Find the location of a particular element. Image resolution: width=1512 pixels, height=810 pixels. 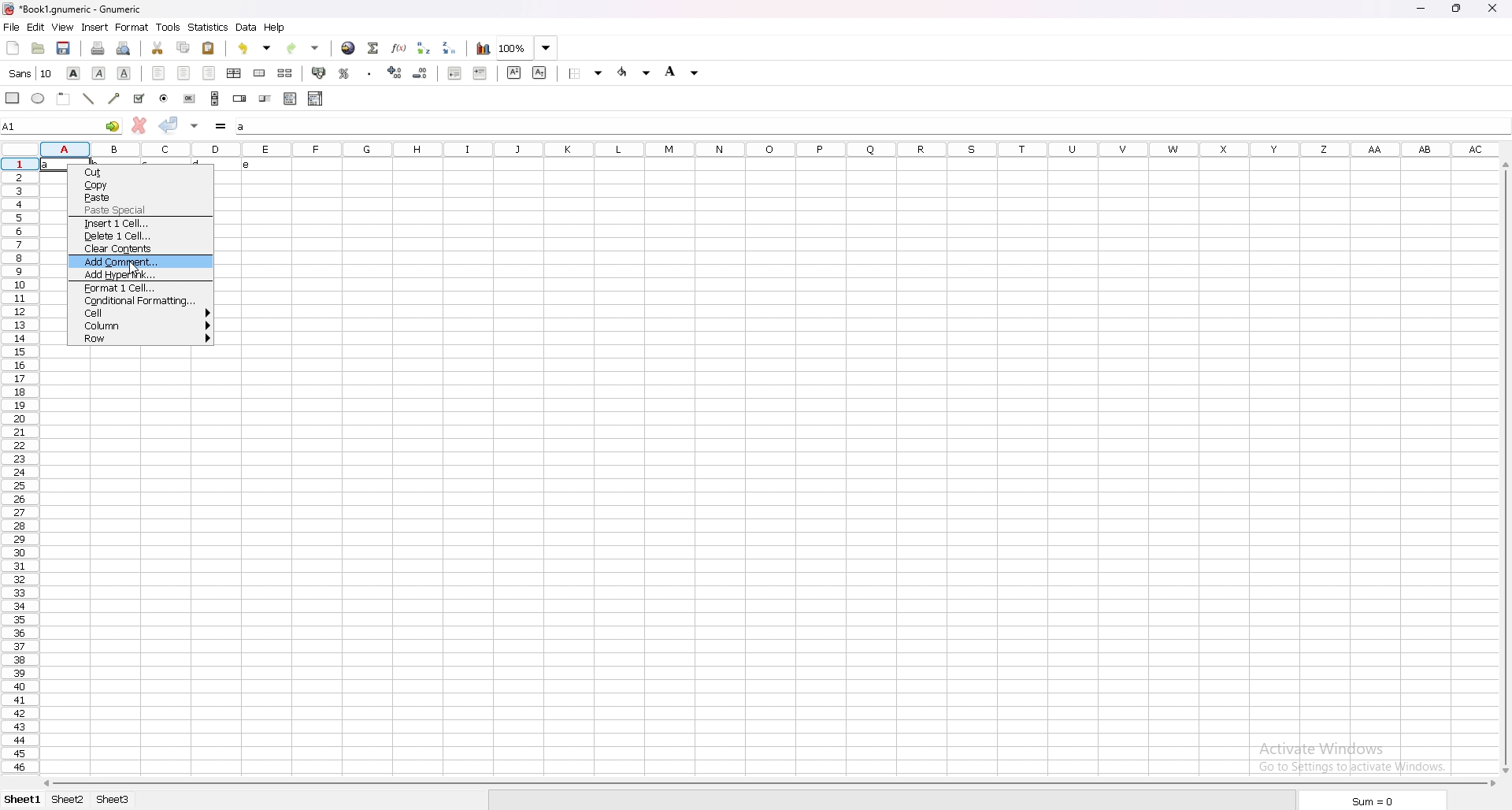

spin button is located at coordinates (239, 98).